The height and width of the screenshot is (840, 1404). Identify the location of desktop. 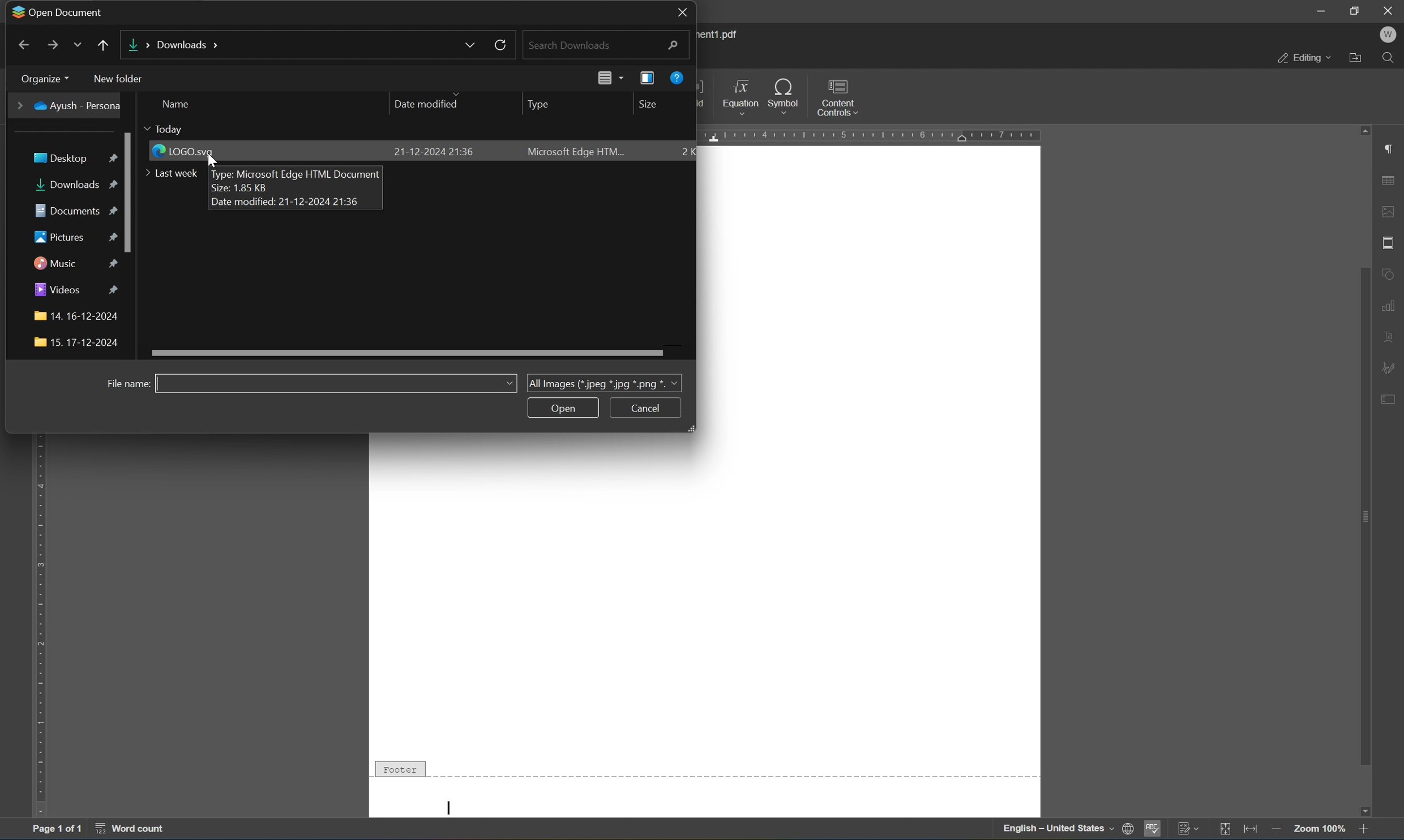
(51, 79).